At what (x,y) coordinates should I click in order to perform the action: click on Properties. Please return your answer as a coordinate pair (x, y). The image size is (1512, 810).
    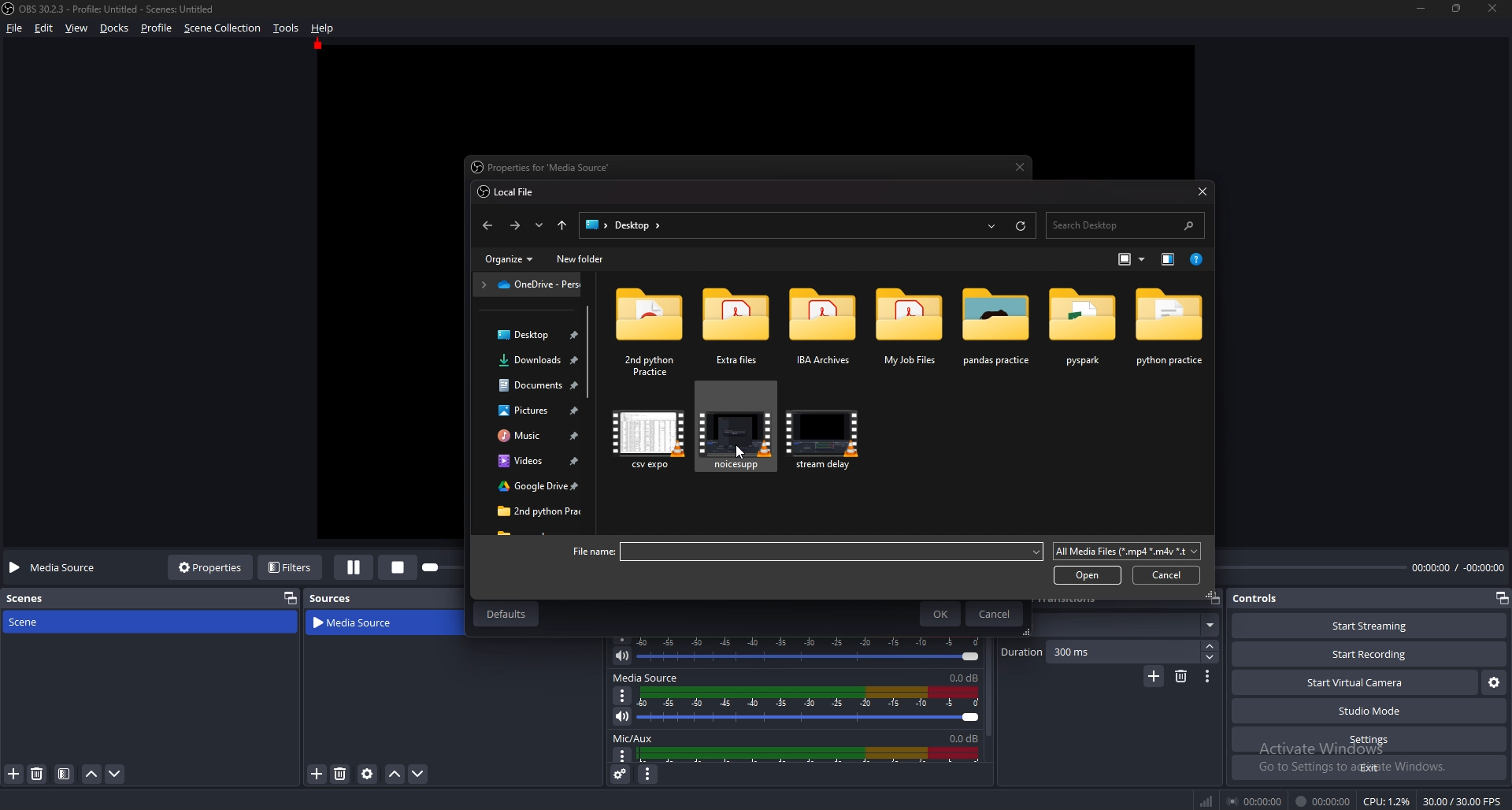
    Looking at the image, I should click on (210, 567).